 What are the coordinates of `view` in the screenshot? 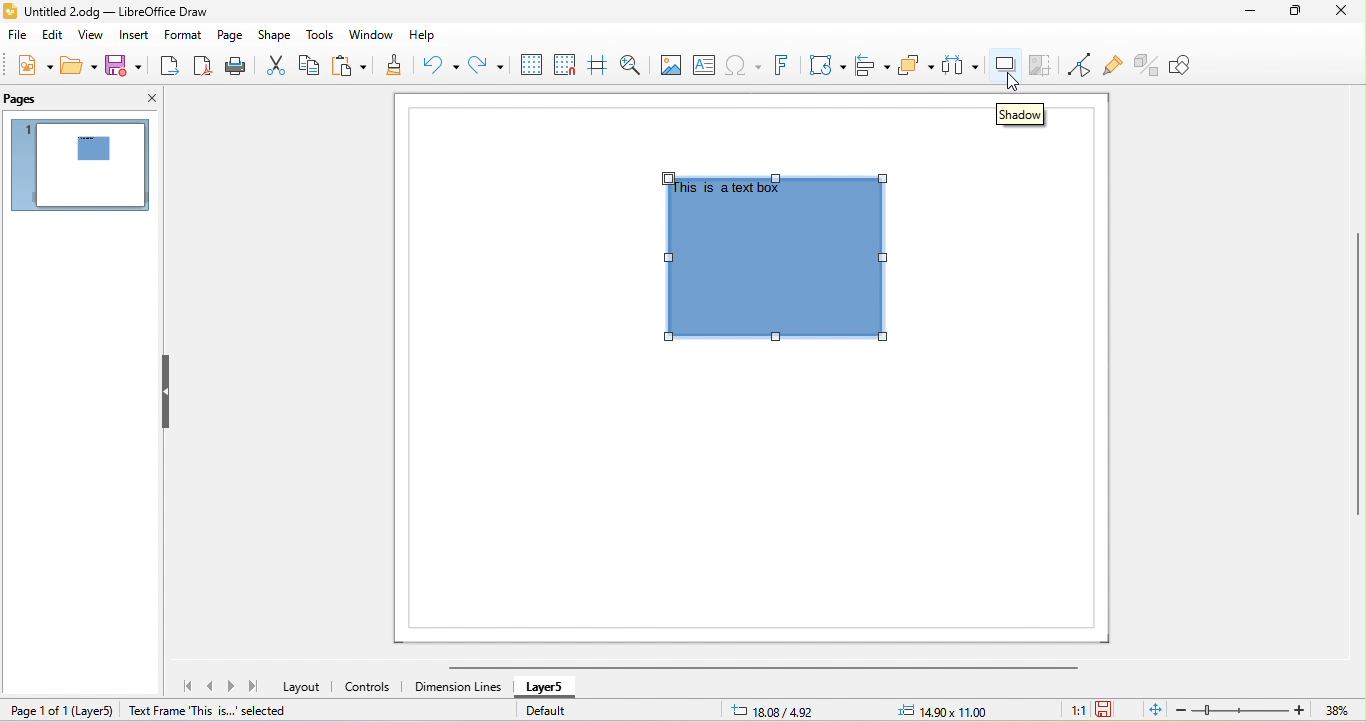 It's located at (94, 37).